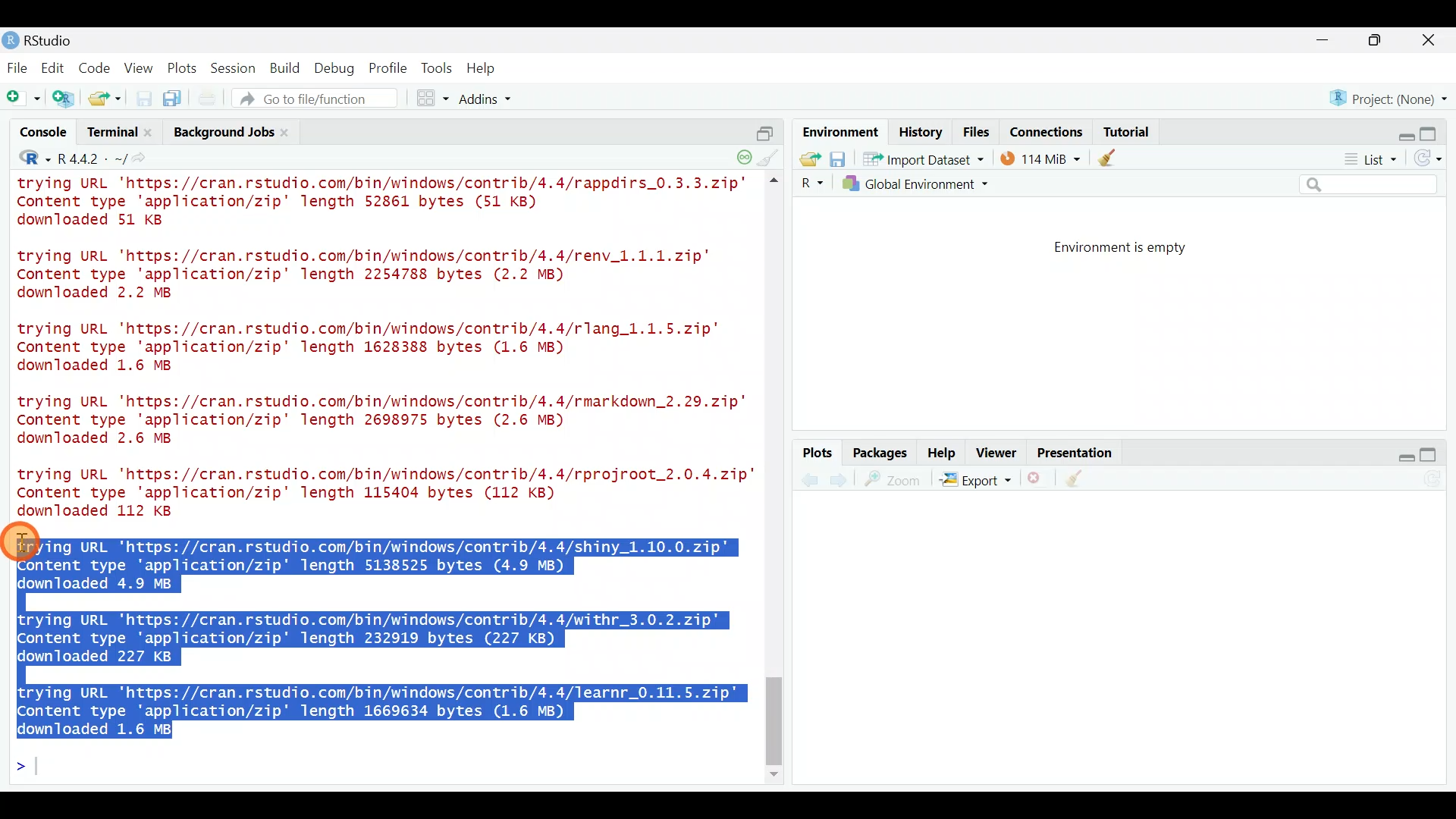  What do you see at coordinates (1435, 454) in the screenshot?
I see `maximize` at bounding box center [1435, 454].